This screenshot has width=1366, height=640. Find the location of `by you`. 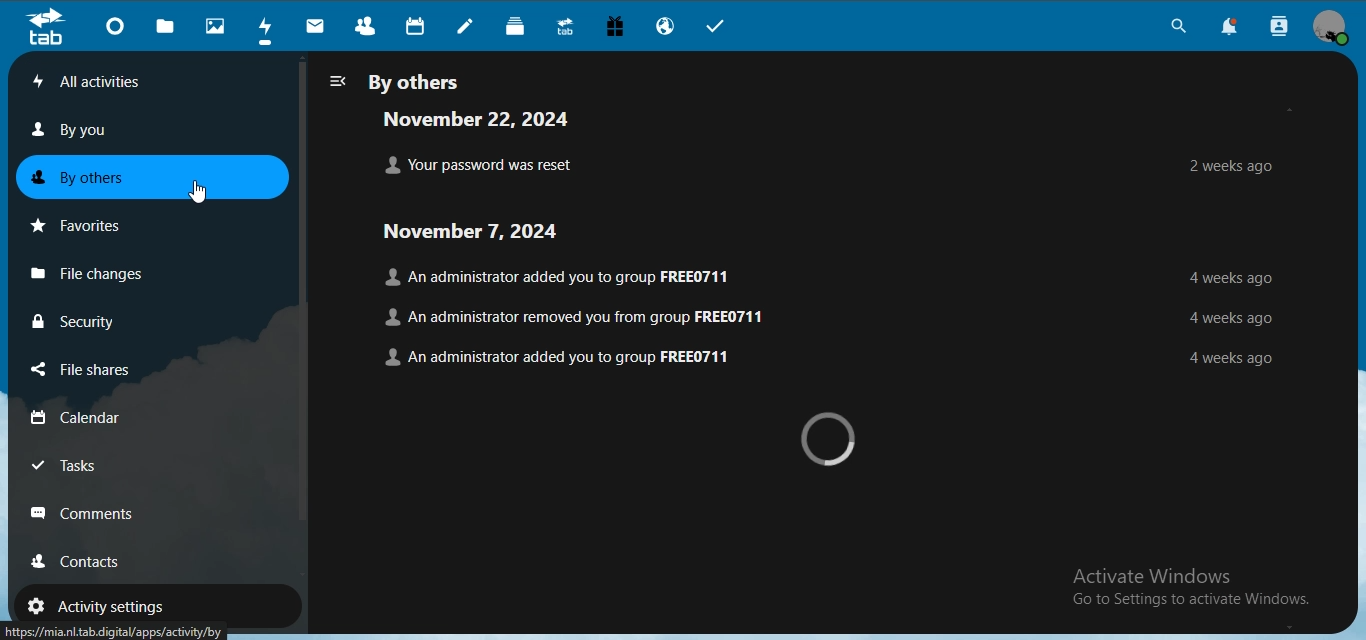

by you is located at coordinates (82, 130).